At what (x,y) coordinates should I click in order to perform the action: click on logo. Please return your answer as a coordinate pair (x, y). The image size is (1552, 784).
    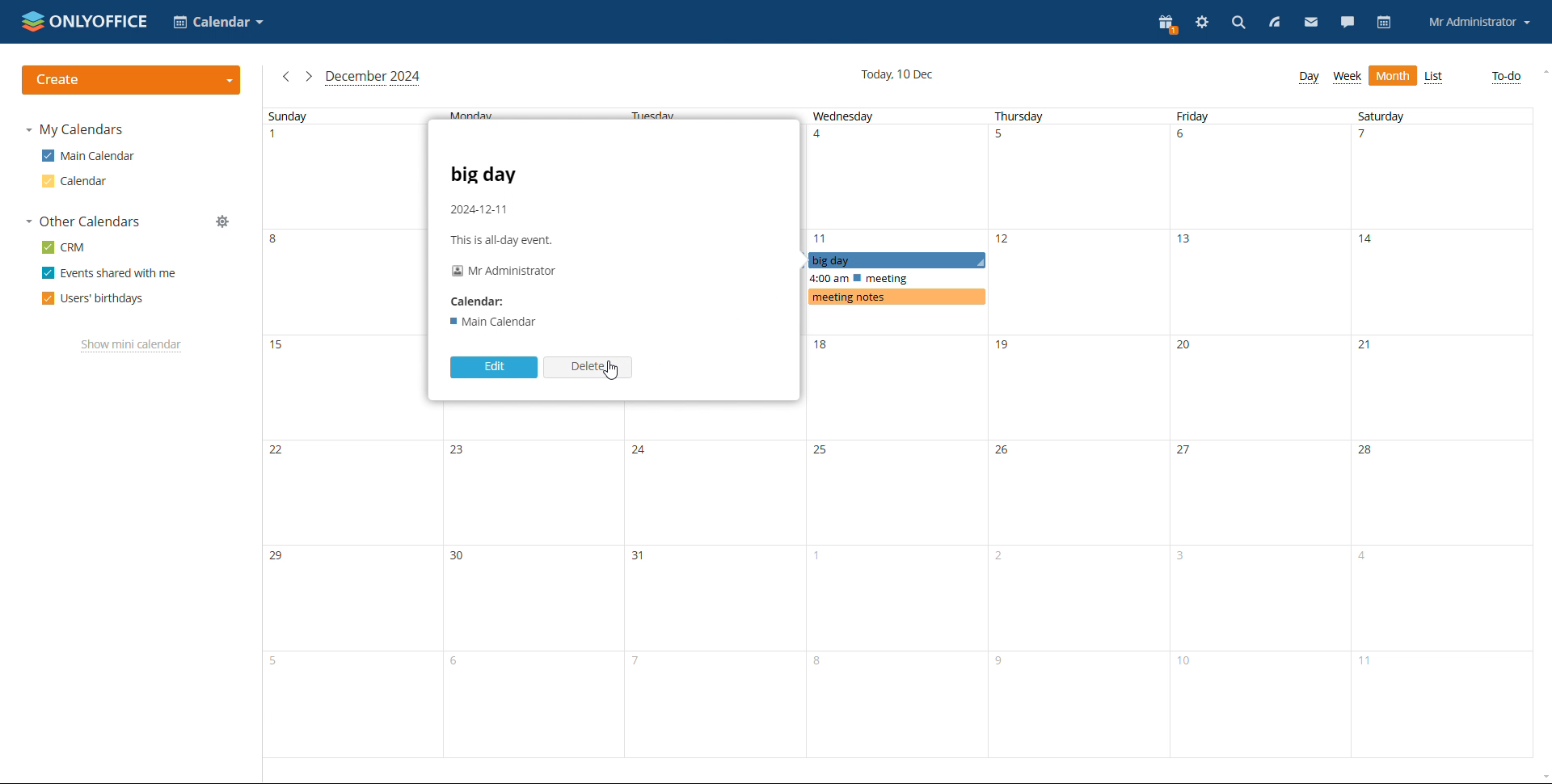
    Looking at the image, I should click on (86, 20).